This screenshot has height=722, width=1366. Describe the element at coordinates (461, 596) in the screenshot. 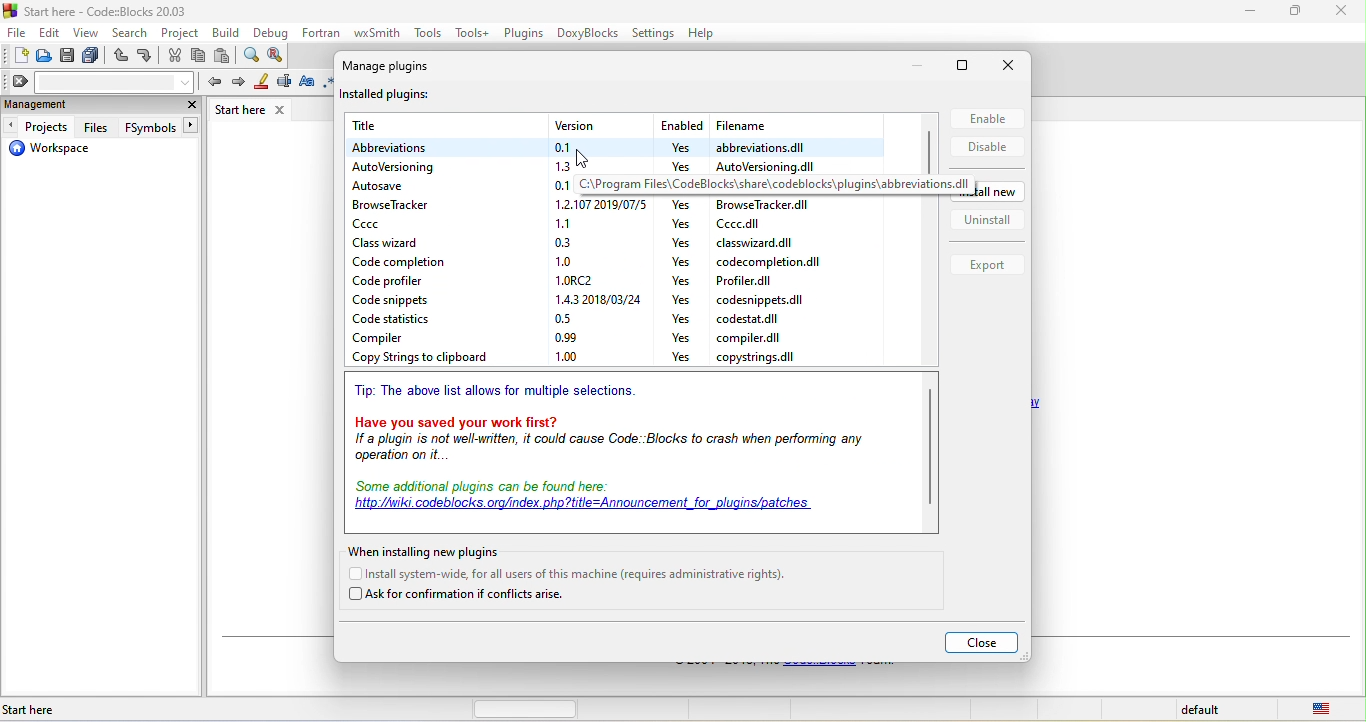

I see `ask for confirmation if conflicts arise` at that location.